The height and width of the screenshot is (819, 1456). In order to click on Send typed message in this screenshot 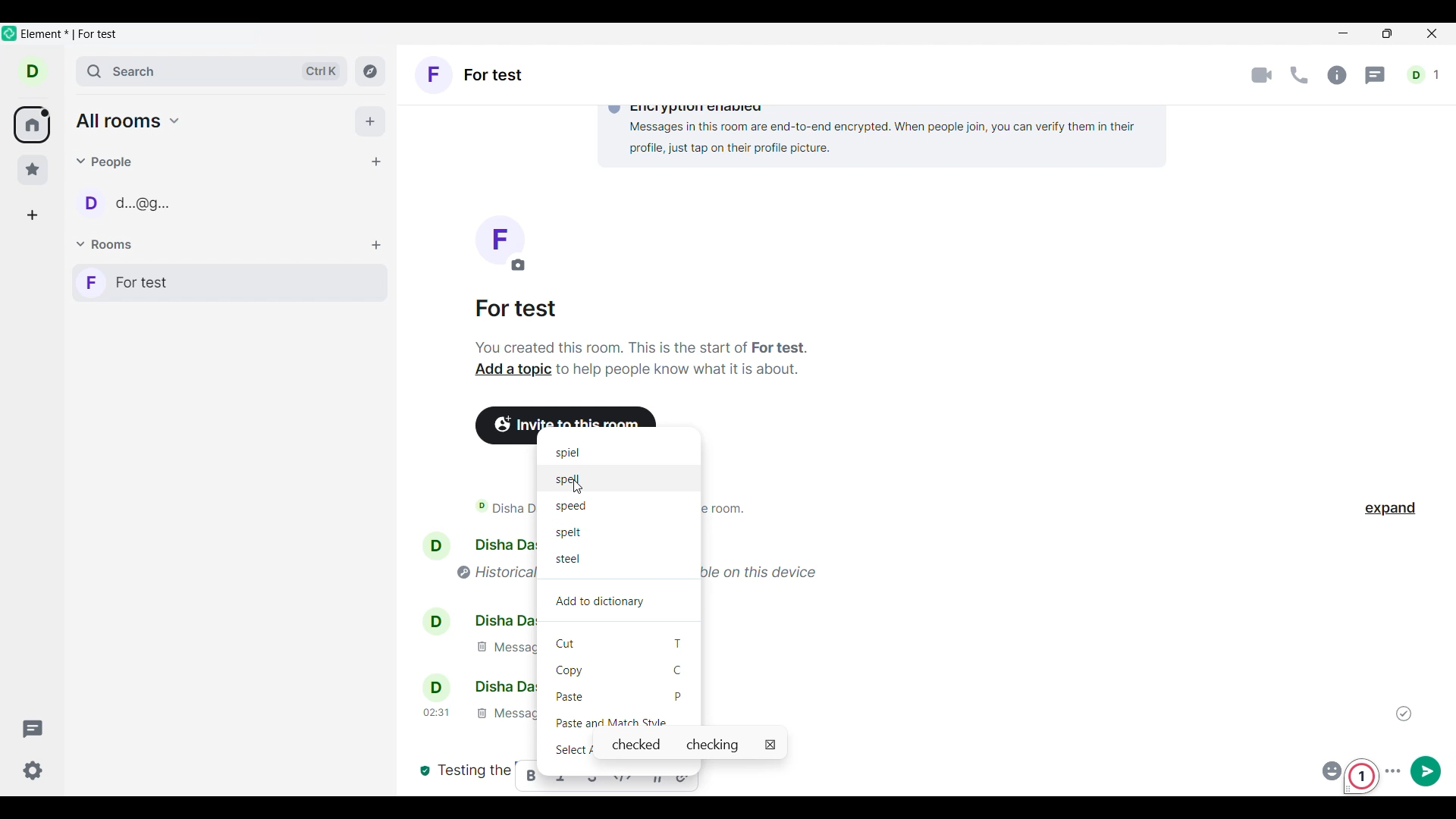, I will do `click(1426, 770)`.